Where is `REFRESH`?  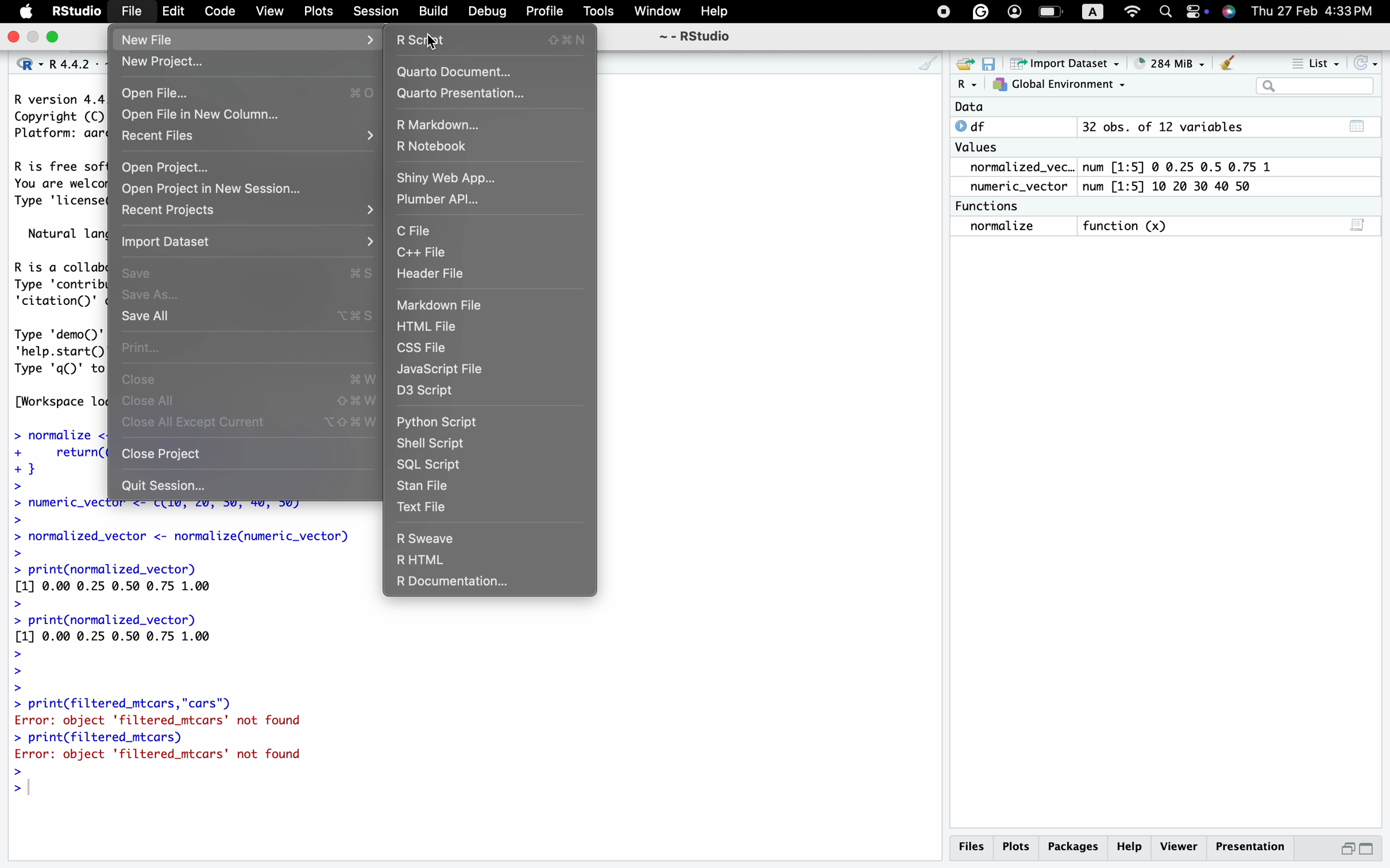
REFRESH is located at coordinates (1364, 61).